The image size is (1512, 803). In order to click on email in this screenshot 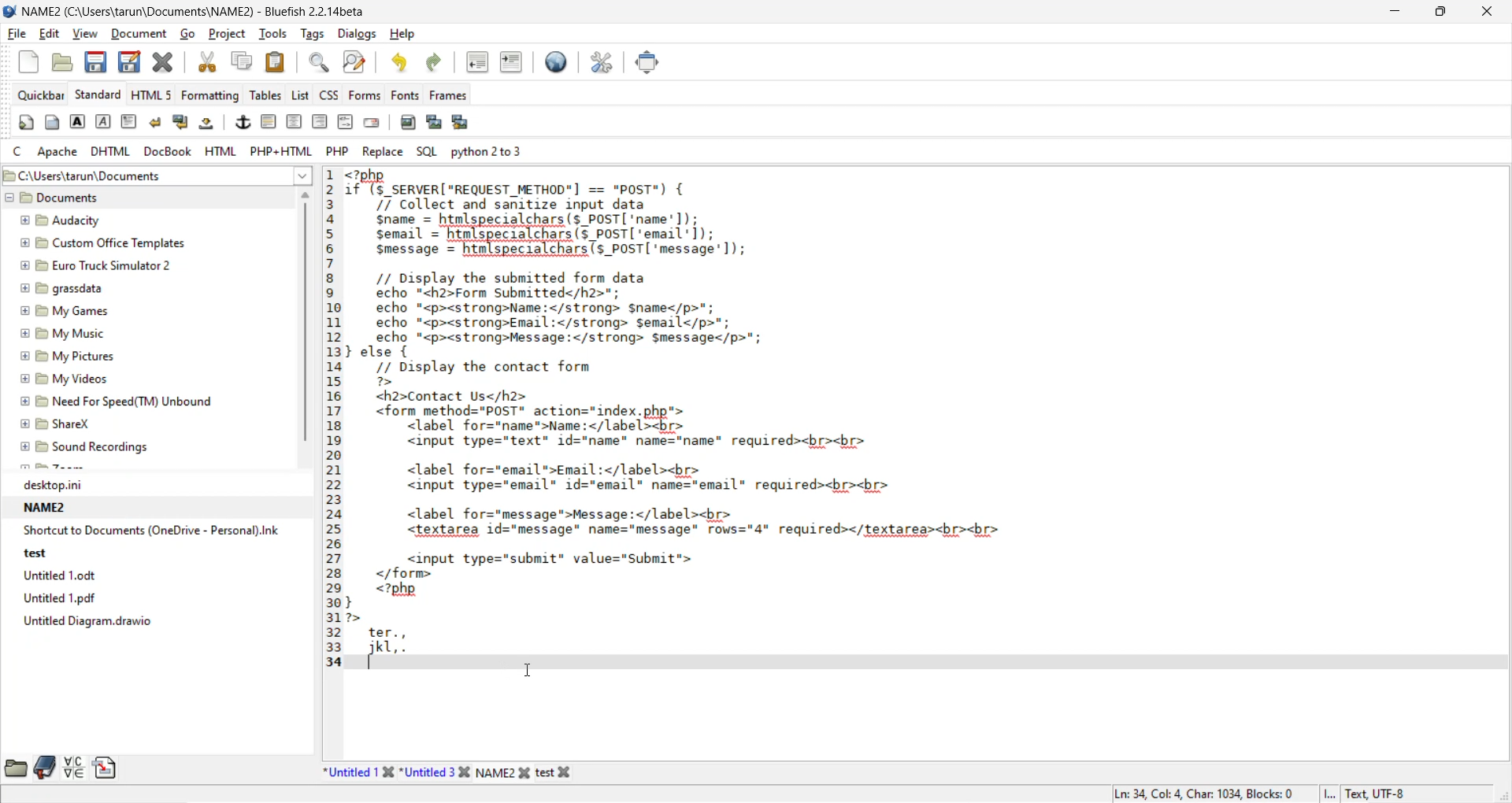, I will do `click(376, 124)`.